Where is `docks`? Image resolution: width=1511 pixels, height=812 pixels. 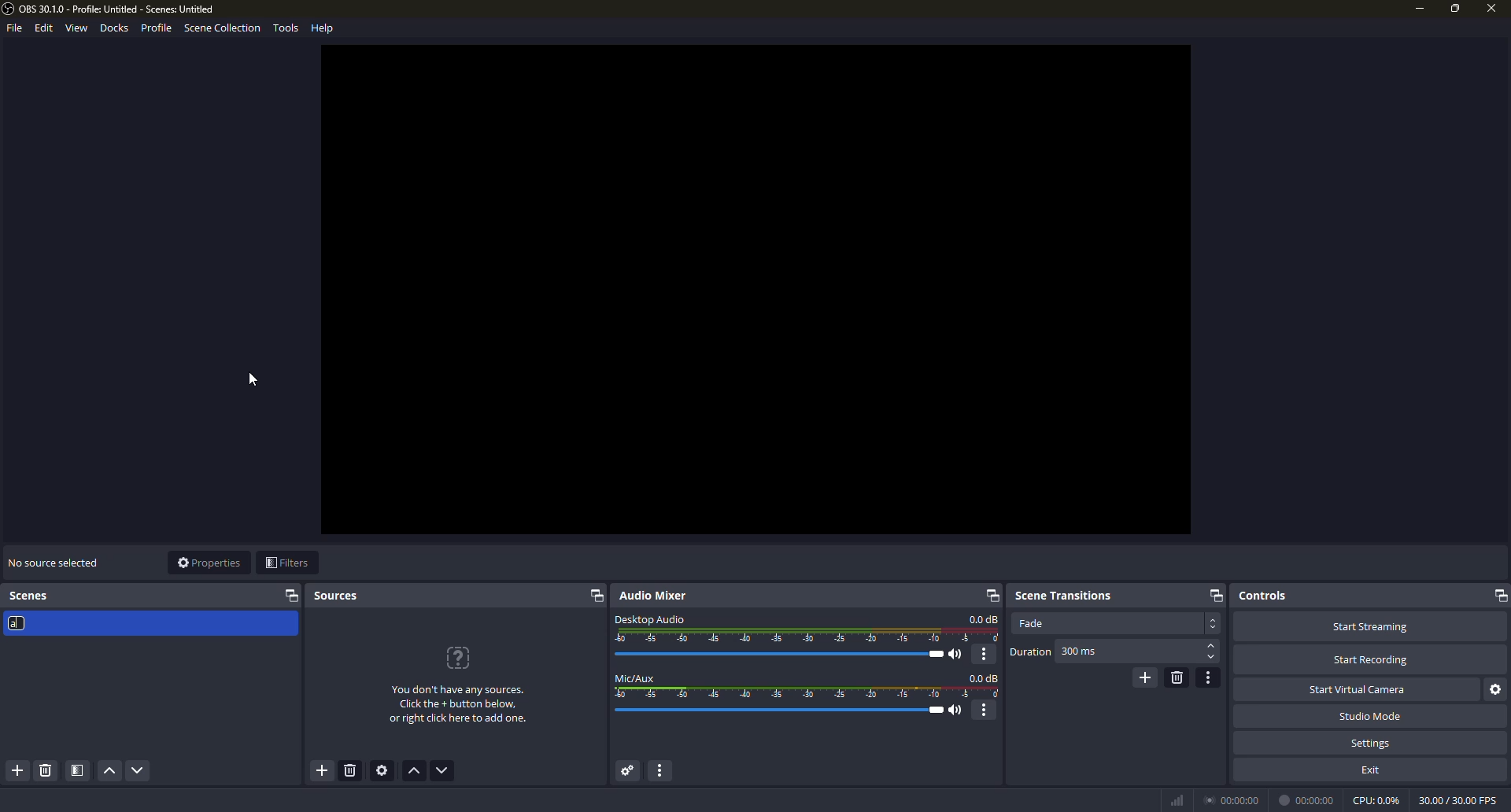
docks is located at coordinates (115, 28).